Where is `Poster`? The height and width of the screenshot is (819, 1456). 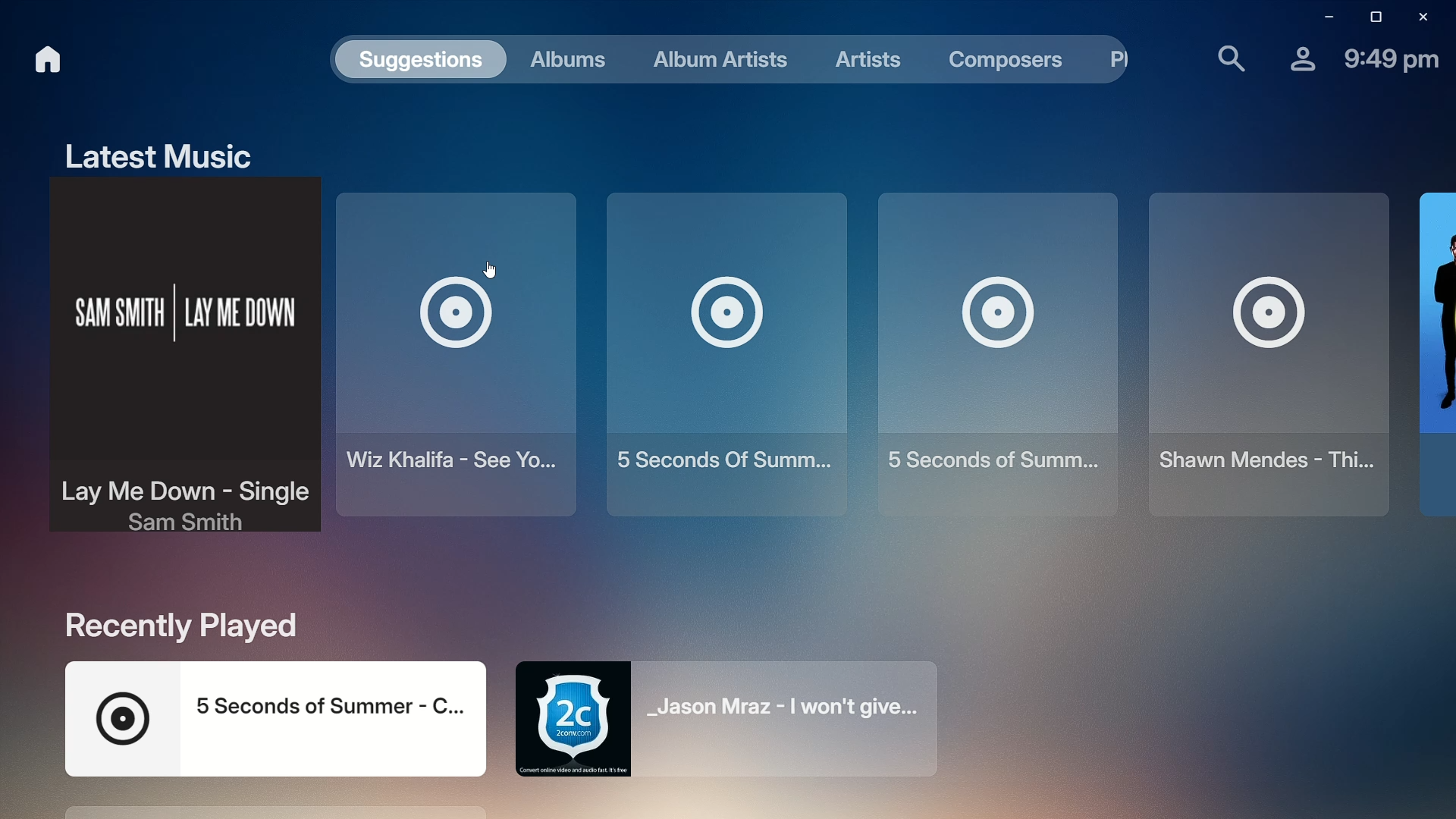 Poster is located at coordinates (1433, 352).